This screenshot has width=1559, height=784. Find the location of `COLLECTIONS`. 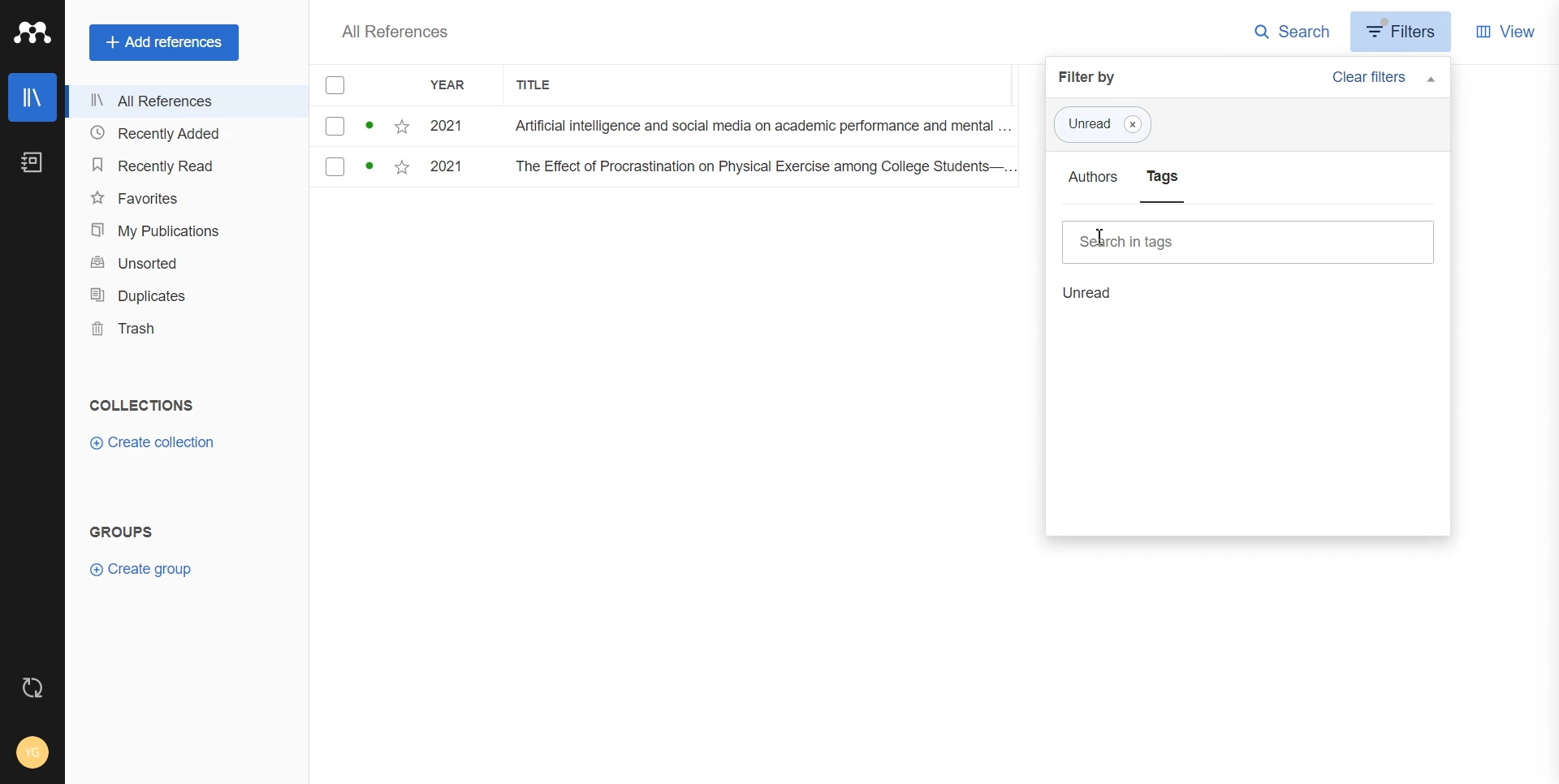

COLLECTIONS is located at coordinates (145, 405).